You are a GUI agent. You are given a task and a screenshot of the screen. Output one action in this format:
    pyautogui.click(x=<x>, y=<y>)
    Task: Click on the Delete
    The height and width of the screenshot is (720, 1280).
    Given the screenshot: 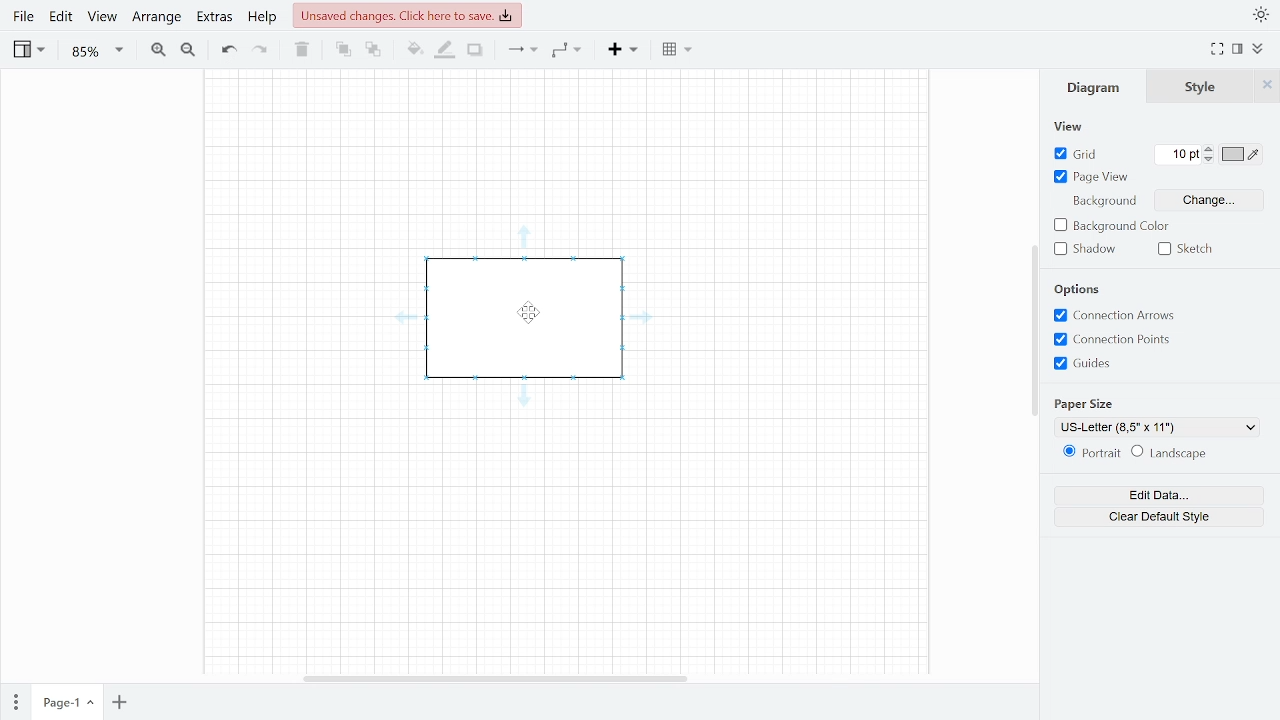 What is the action you would take?
    pyautogui.click(x=303, y=50)
    